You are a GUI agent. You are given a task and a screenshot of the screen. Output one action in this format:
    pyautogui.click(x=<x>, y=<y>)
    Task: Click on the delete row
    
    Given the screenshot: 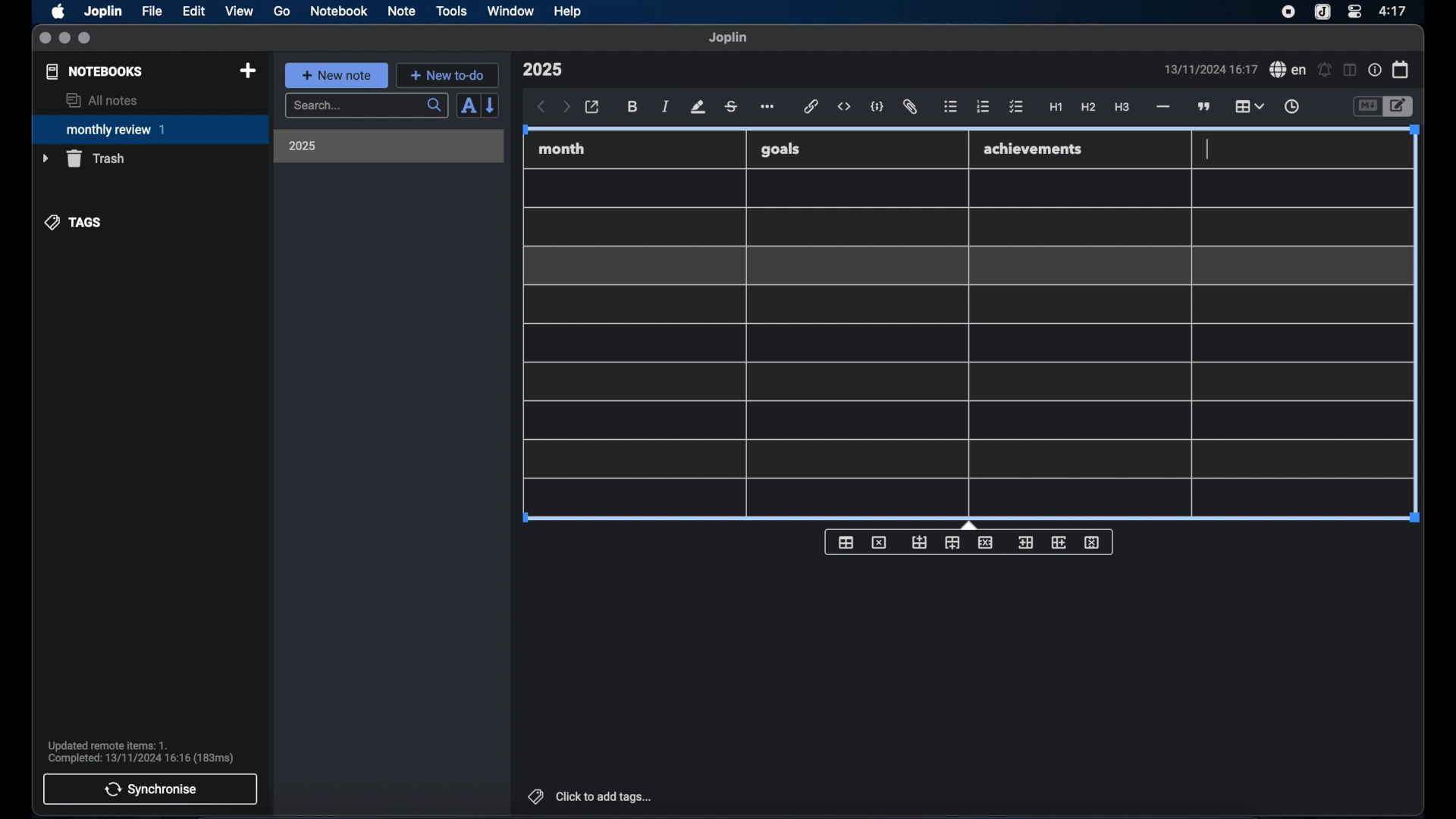 What is the action you would take?
    pyautogui.click(x=987, y=541)
    